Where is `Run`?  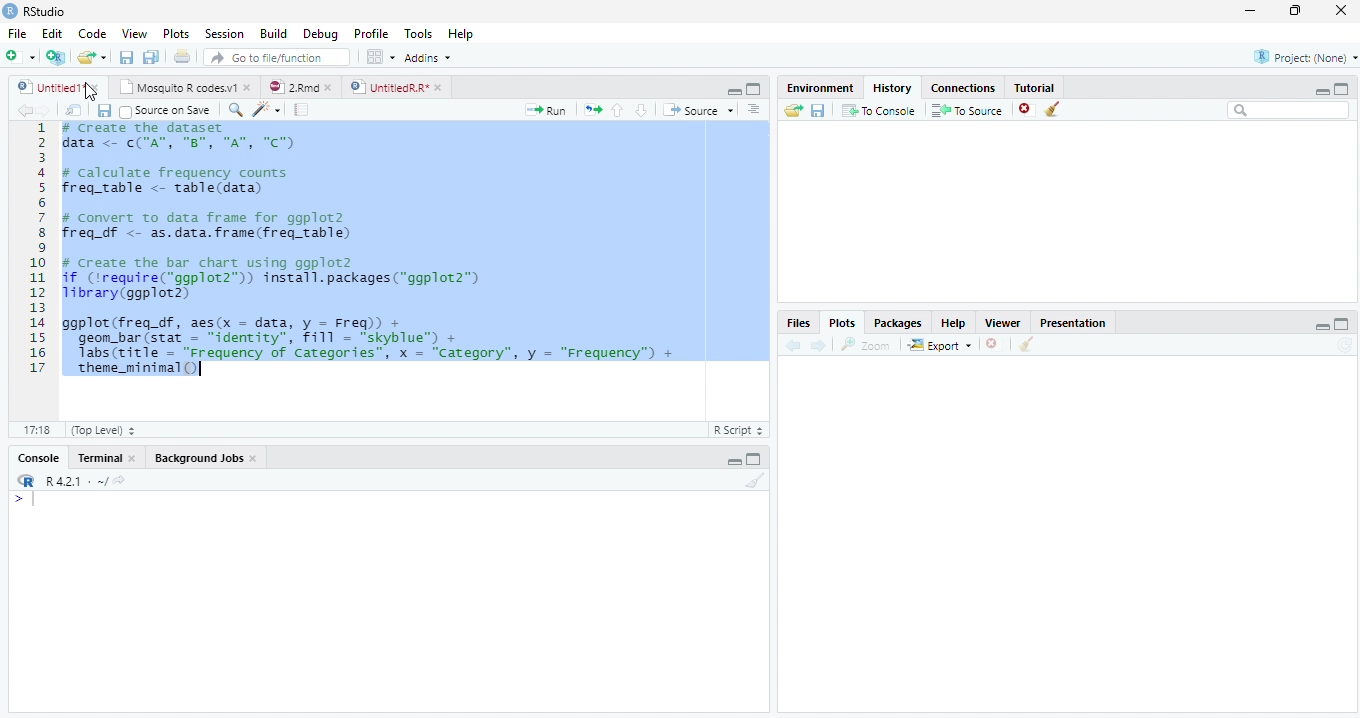
Run is located at coordinates (549, 110).